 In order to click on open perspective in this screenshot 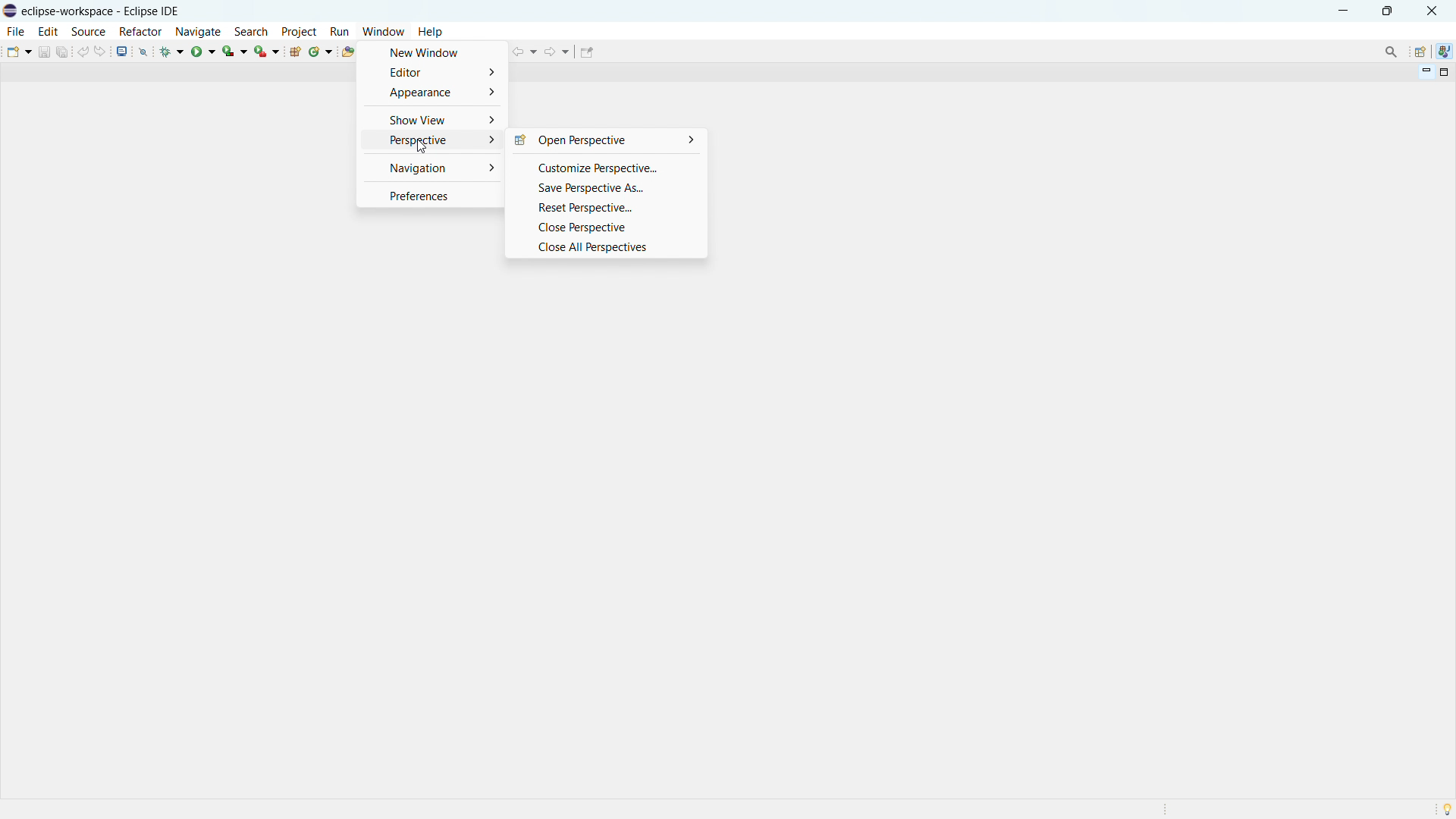, I will do `click(1420, 52)`.